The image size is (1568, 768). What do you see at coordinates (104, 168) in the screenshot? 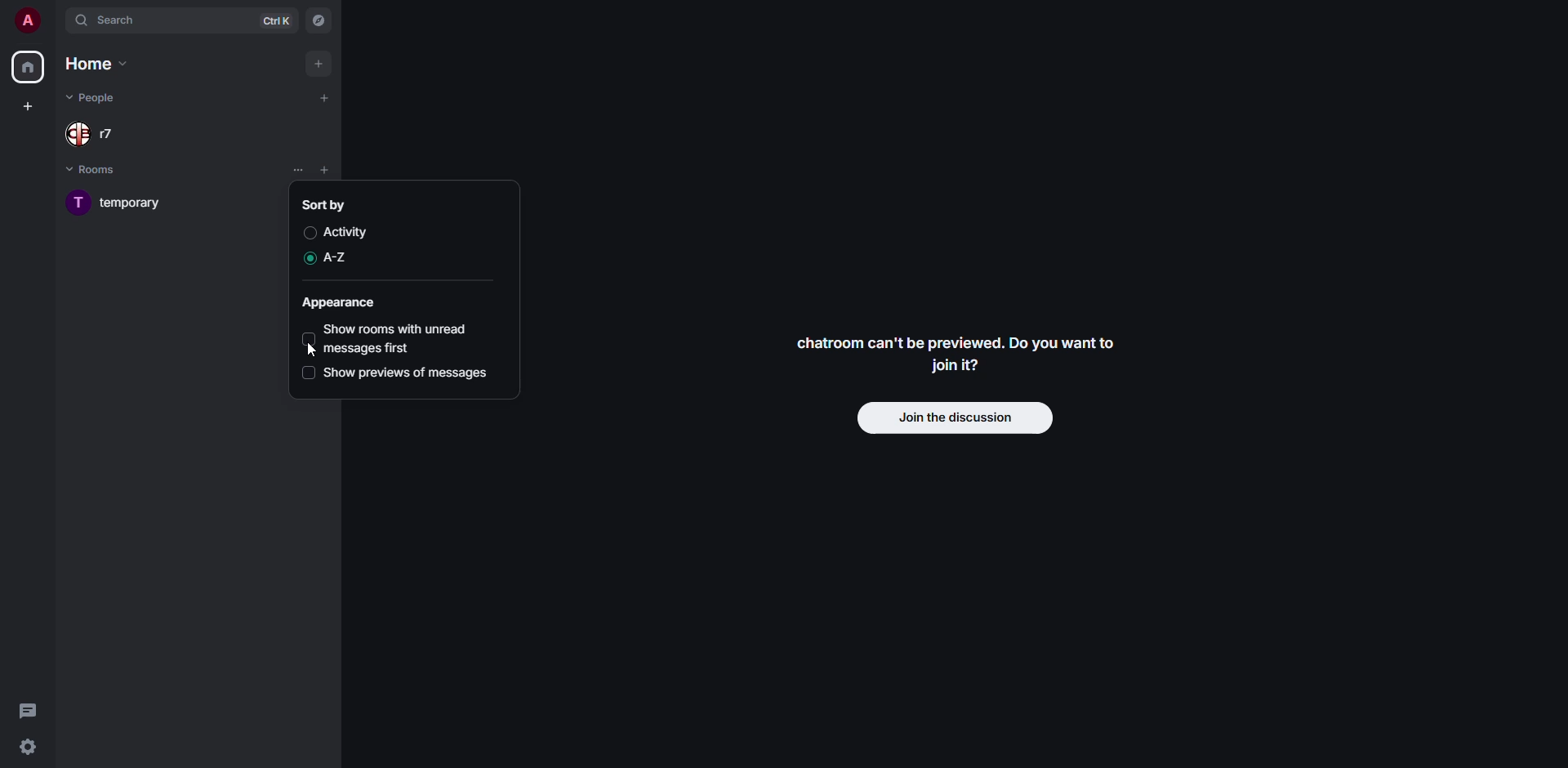
I see `rooms` at bounding box center [104, 168].